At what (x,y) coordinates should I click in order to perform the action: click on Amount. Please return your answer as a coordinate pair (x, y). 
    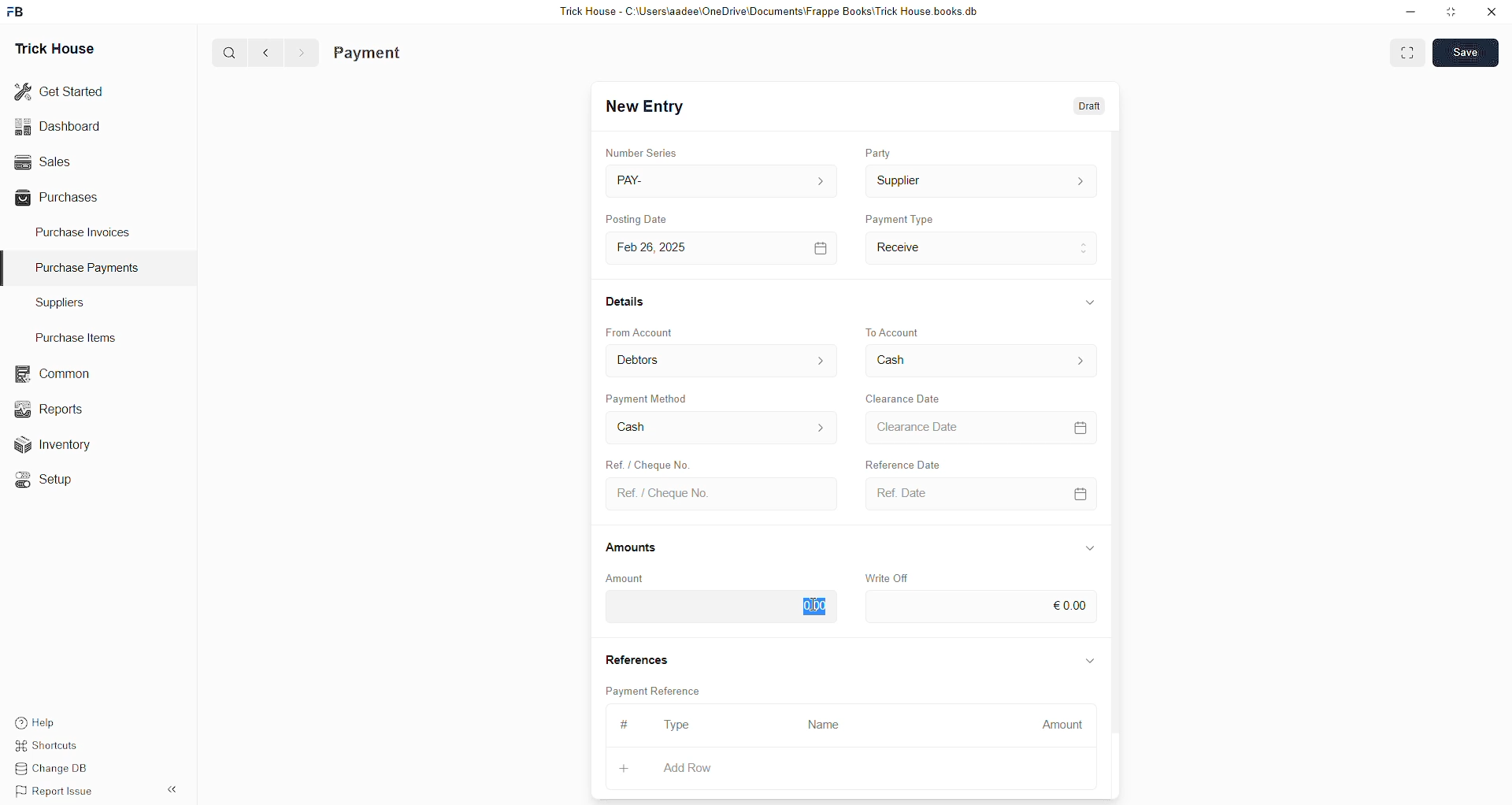
    Looking at the image, I should click on (1063, 725).